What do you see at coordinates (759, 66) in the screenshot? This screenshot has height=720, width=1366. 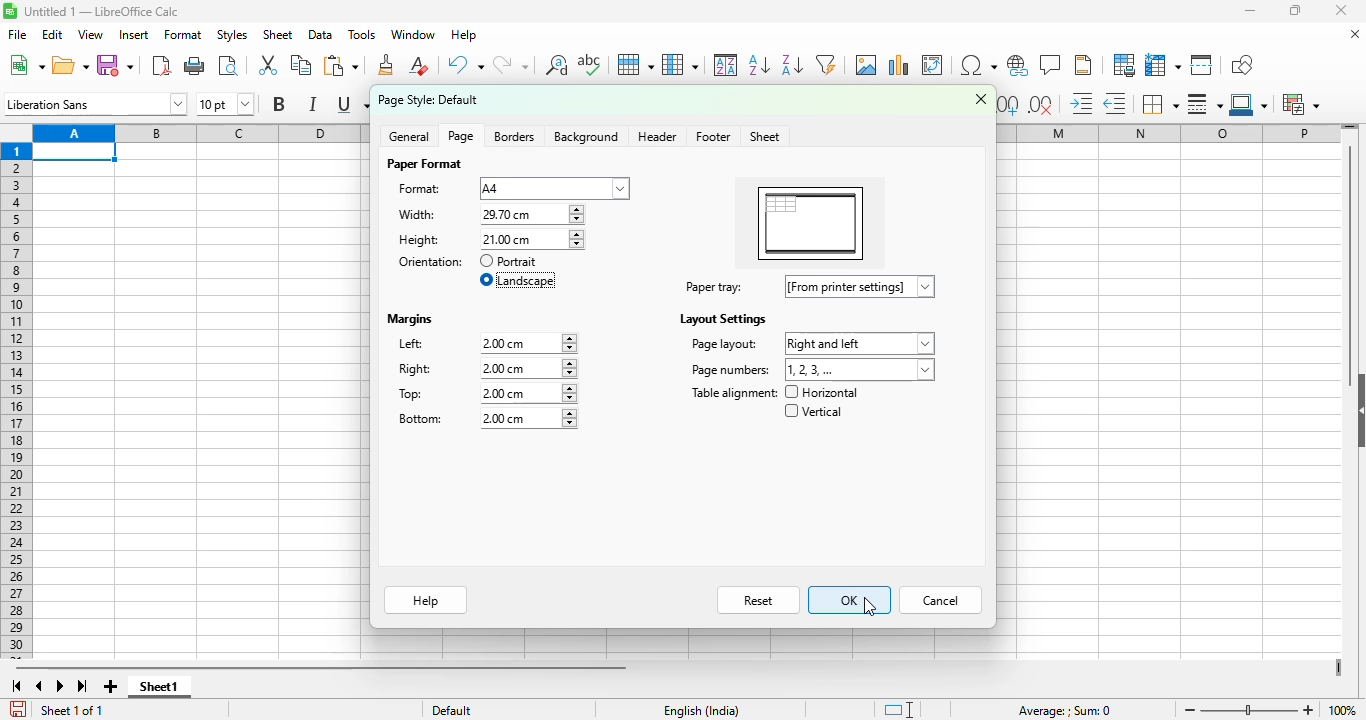 I see `sort ascending` at bounding box center [759, 66].